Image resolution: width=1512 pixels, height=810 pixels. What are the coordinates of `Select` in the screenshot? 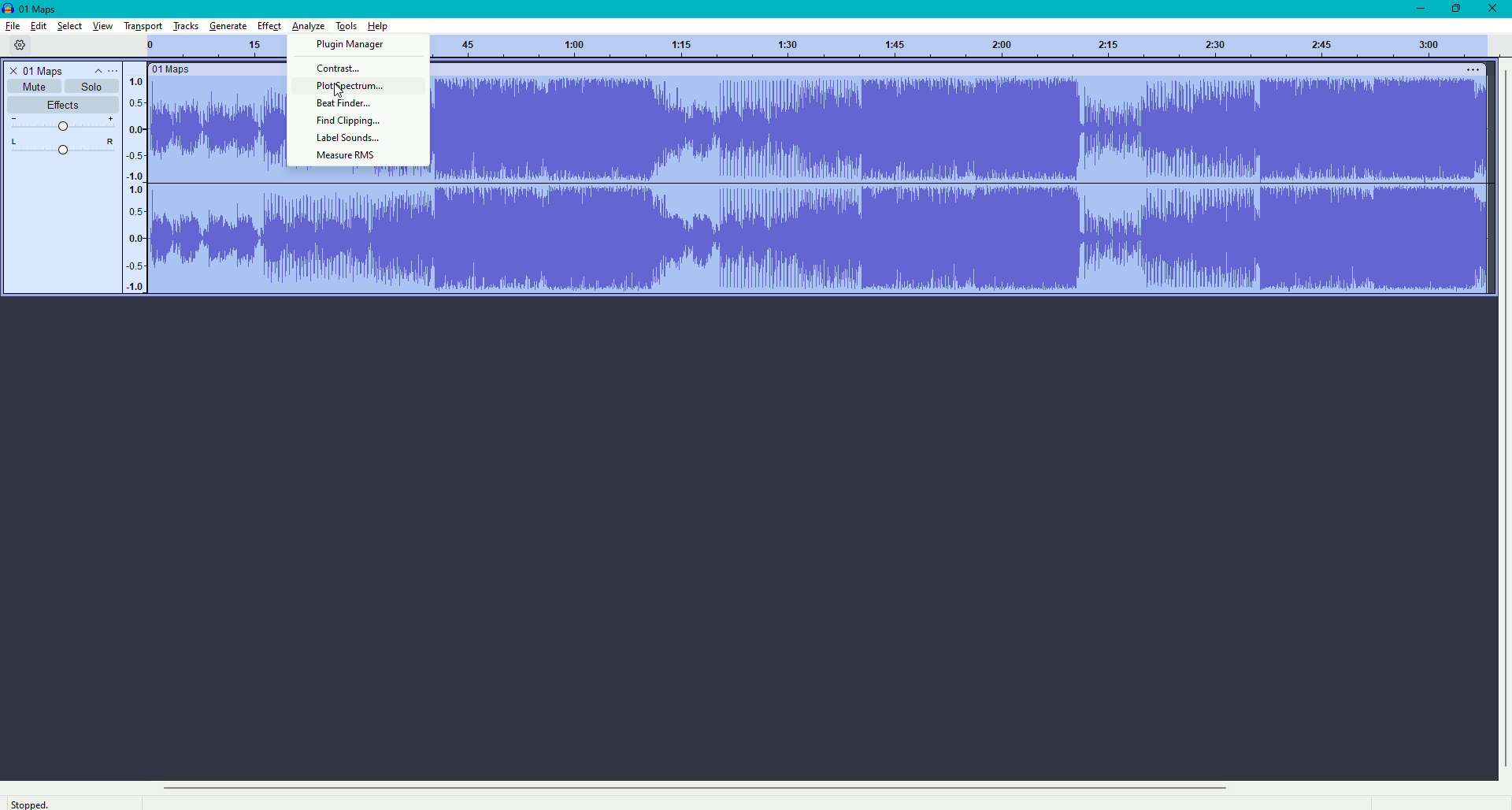 It's located at (66, 26).